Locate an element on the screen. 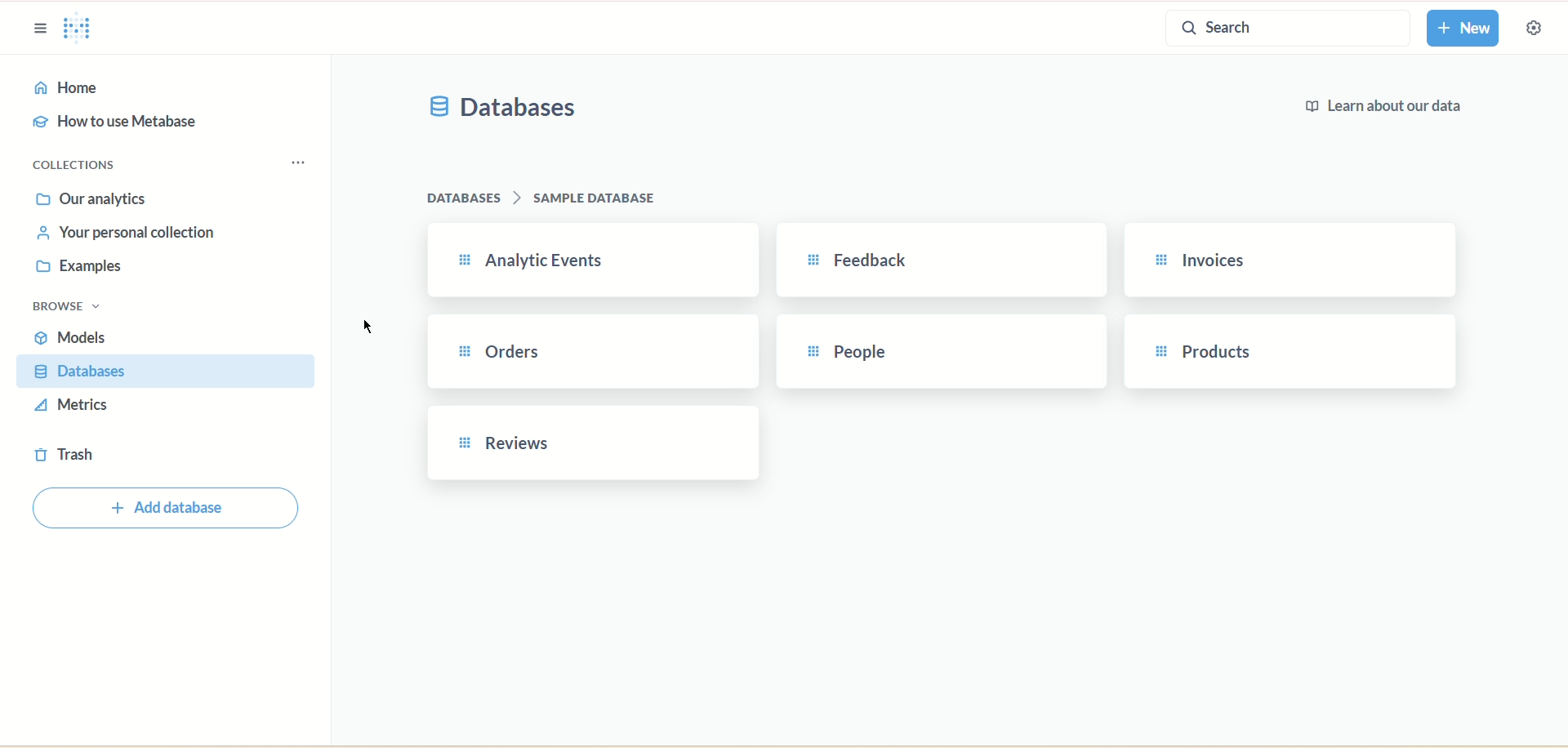  invoices is located at coordinates (1294, 260).